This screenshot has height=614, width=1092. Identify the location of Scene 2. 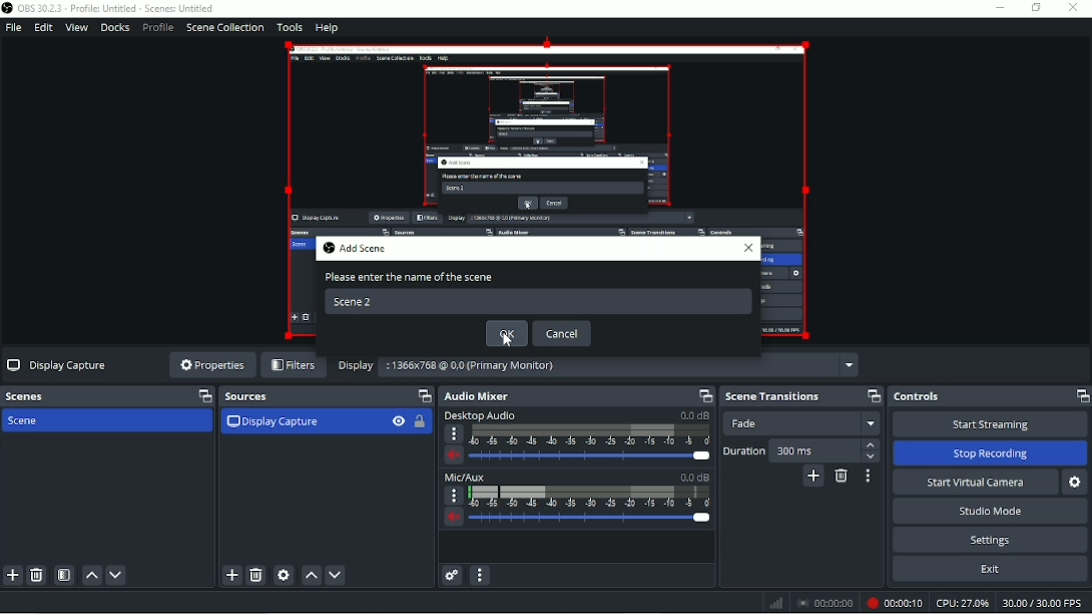
(354, 301).